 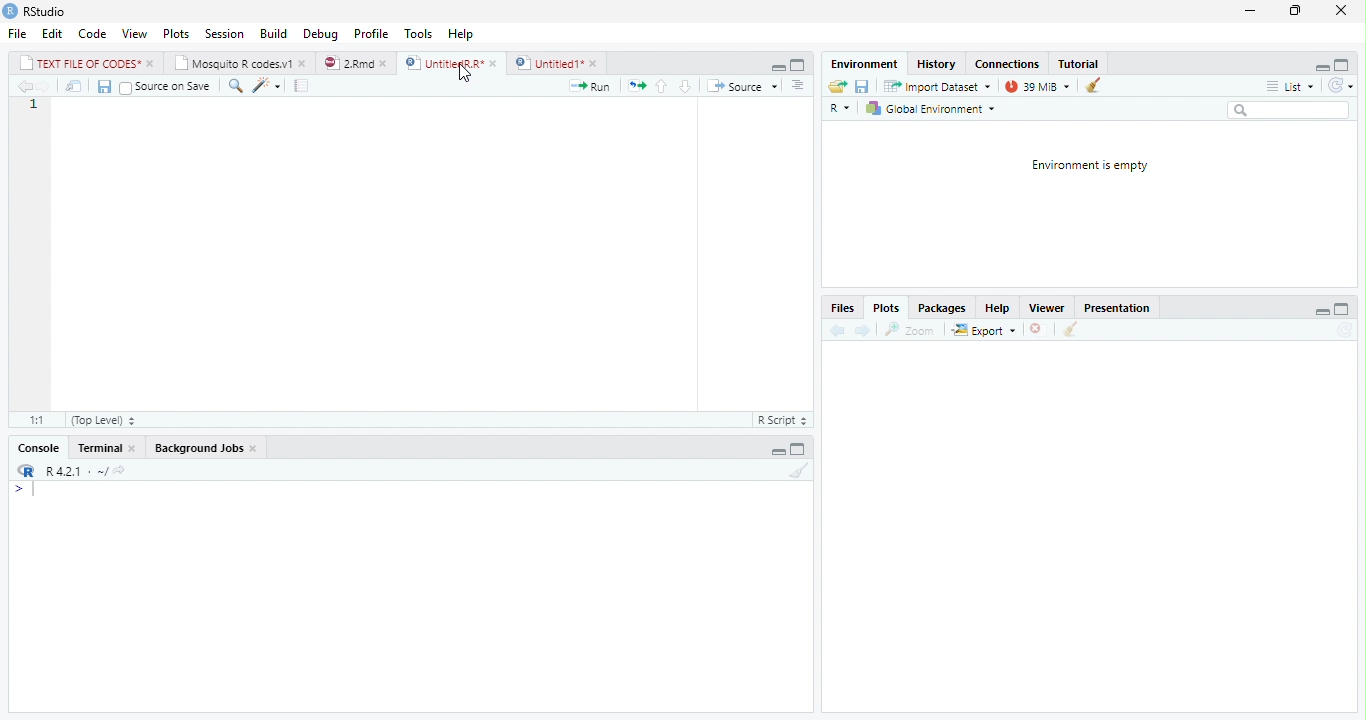 What do you see at coordinates (225, 33) in the screenshot?
I see `Session` at bounding box center [225, 33].